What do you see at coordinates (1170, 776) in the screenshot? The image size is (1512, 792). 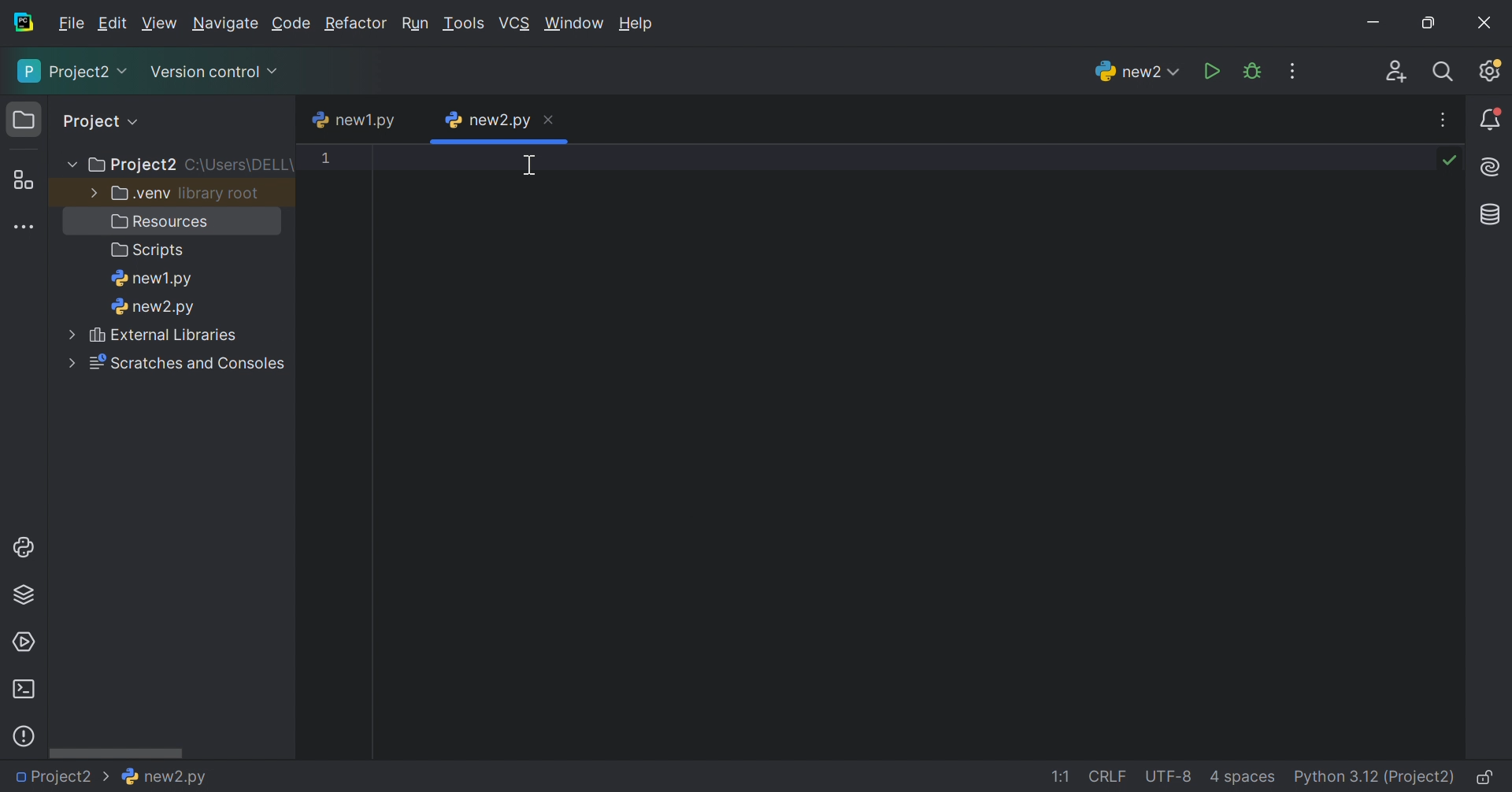 I see `UTF-8` at bounding box center [1170, 776].